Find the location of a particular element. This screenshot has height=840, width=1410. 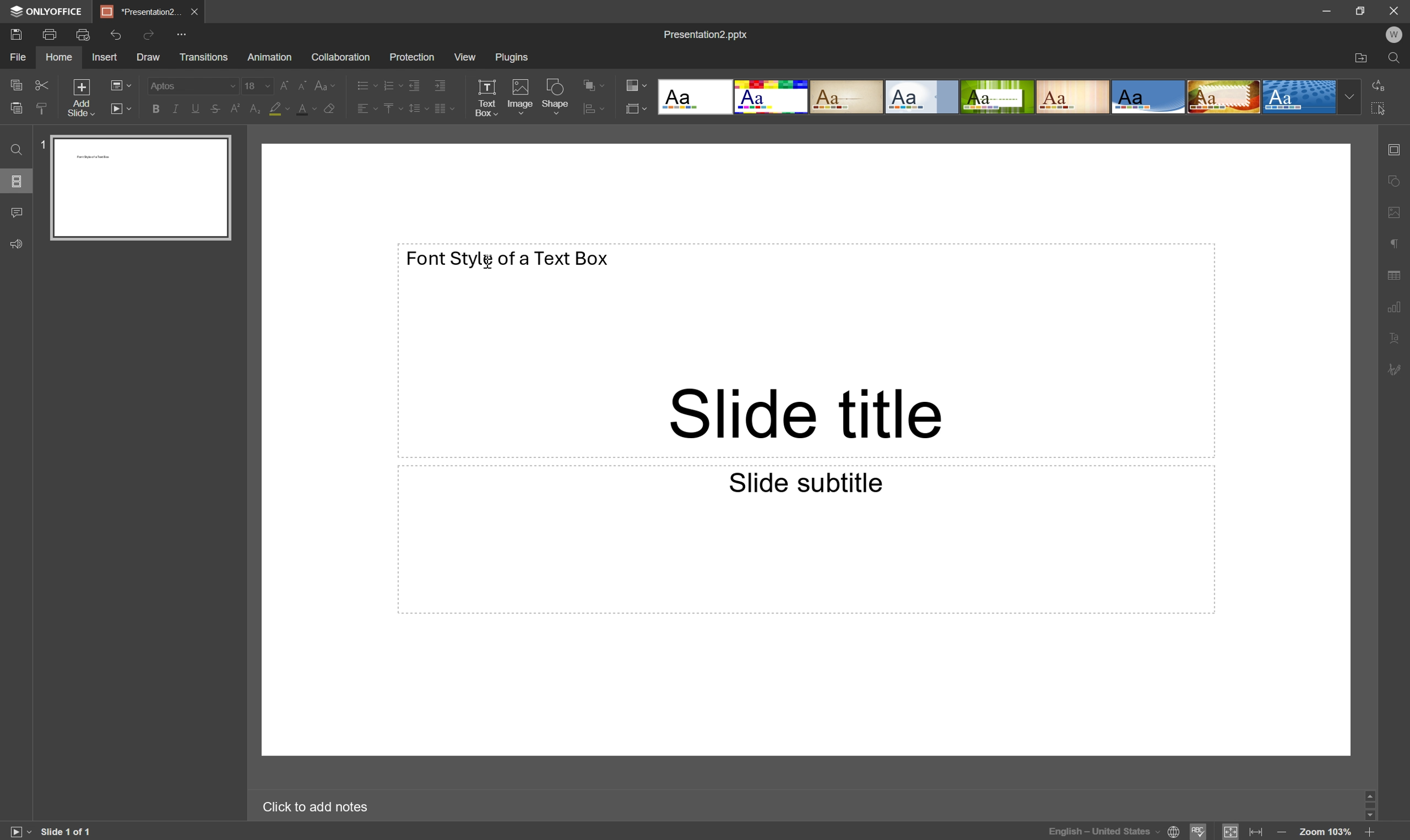

Clear style is located at coordinates (332, 109).